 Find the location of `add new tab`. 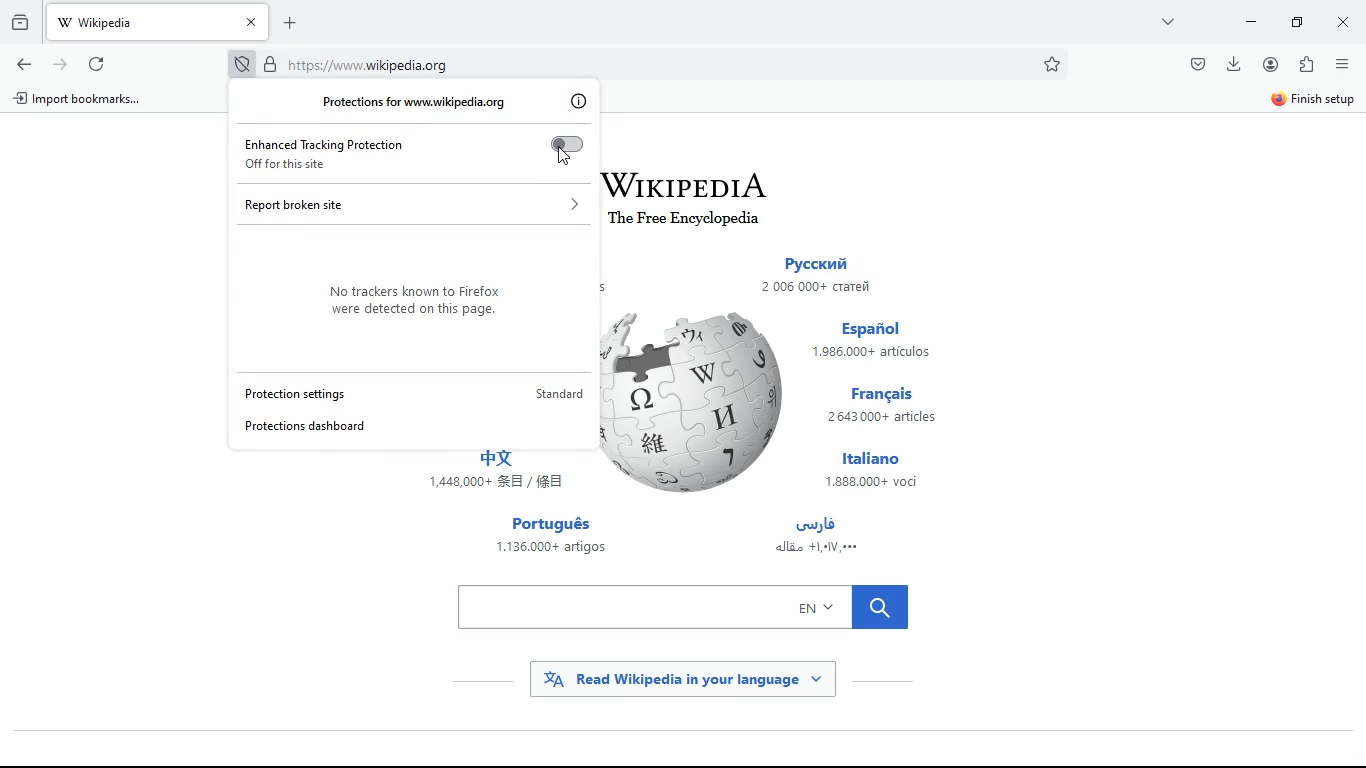

add new tab is located at coordinates (295, 23).